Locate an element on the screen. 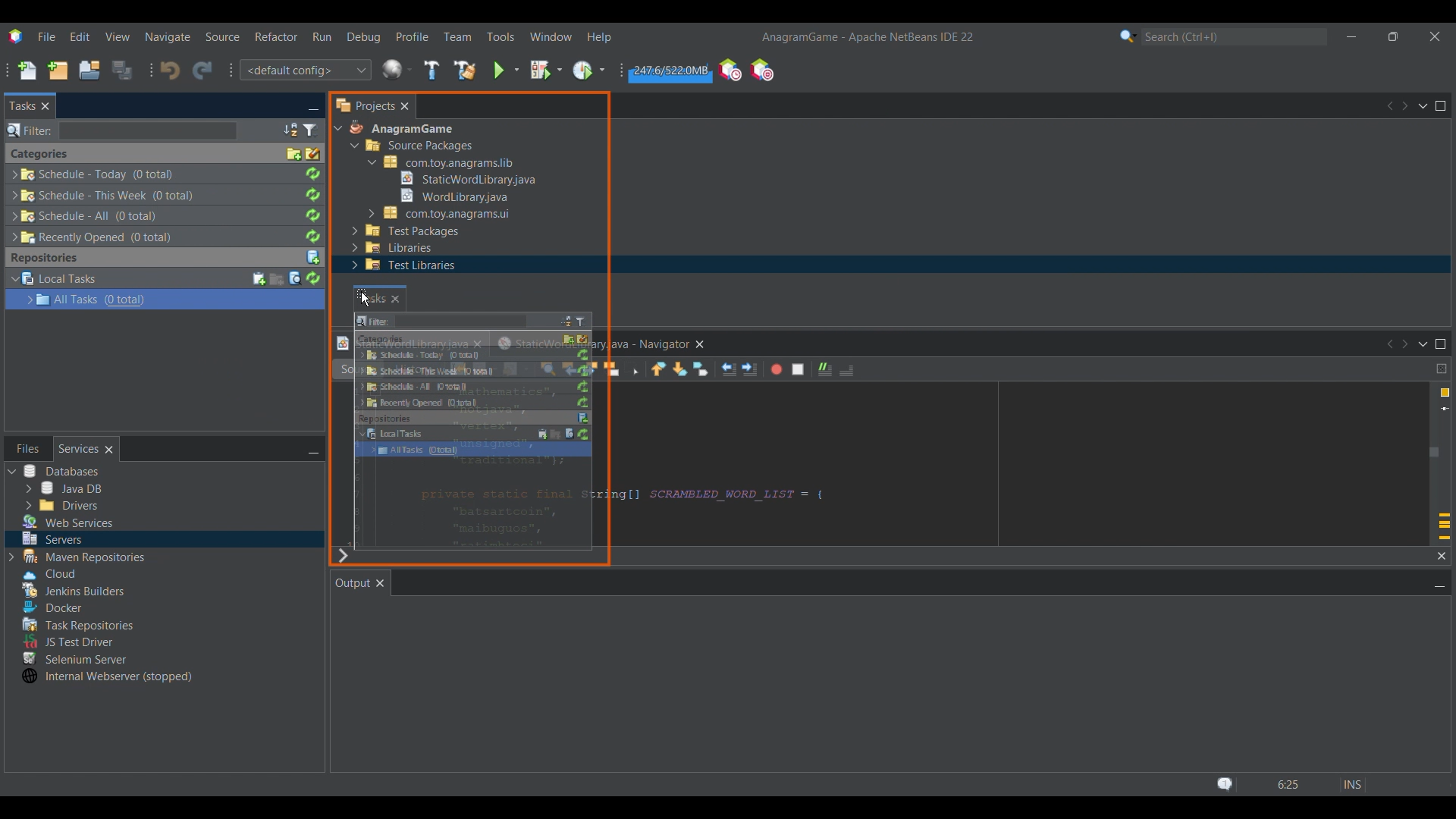  Status bar details is located at coordinates (1288, 784).